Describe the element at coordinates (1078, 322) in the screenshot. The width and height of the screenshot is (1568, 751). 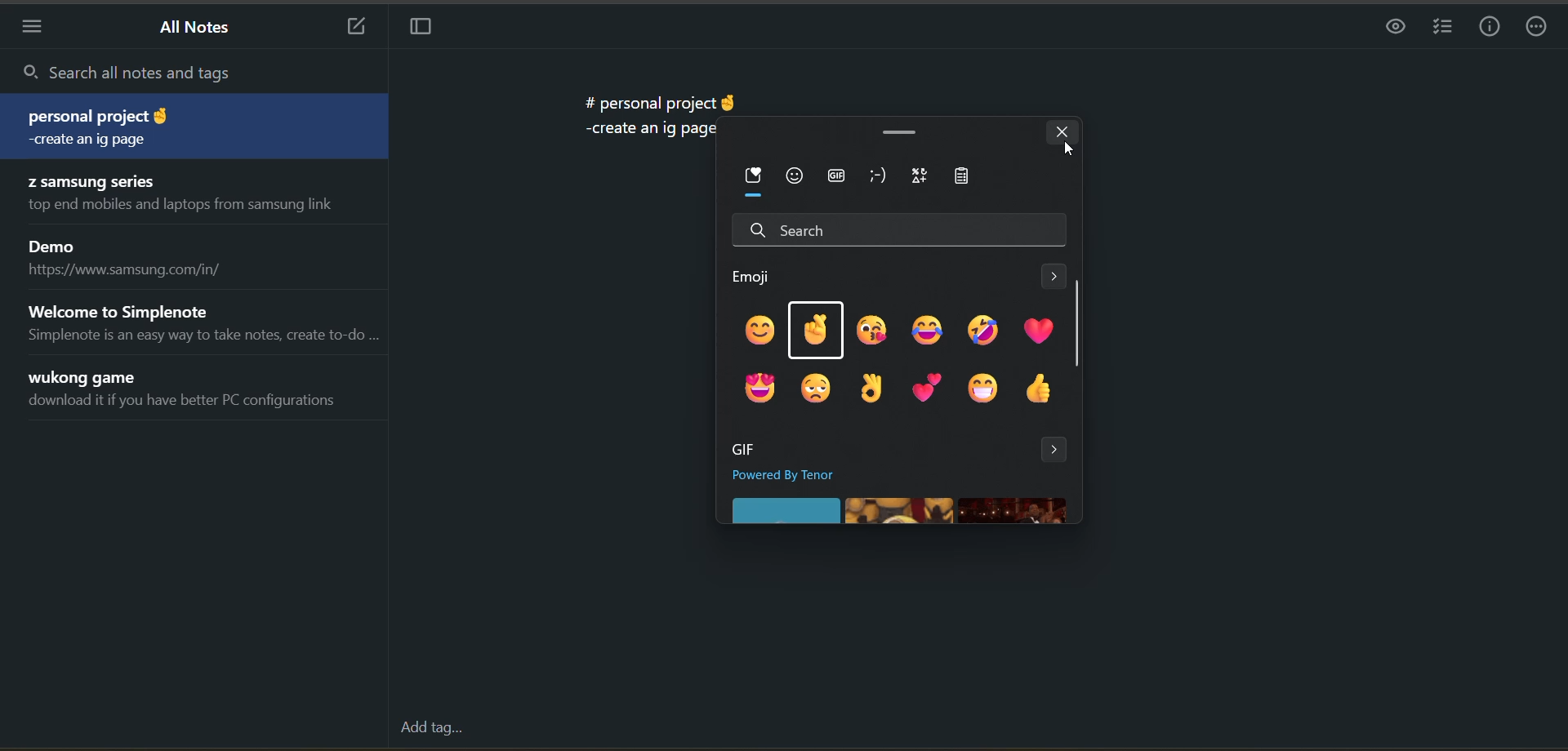
I see `vertical scroll bar` at that location.